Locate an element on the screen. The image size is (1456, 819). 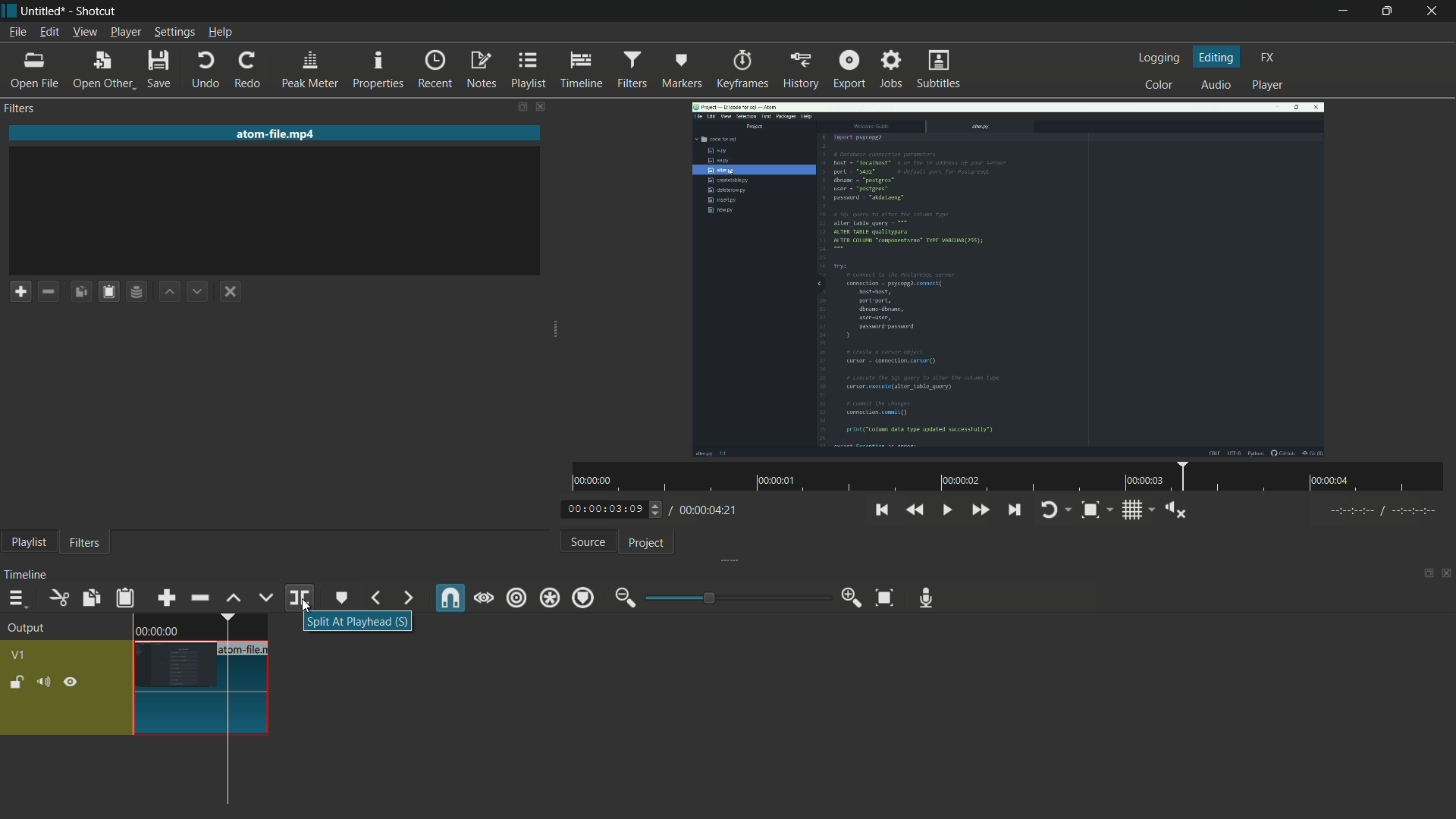
split at playhead is located at coordinates (299, 598).